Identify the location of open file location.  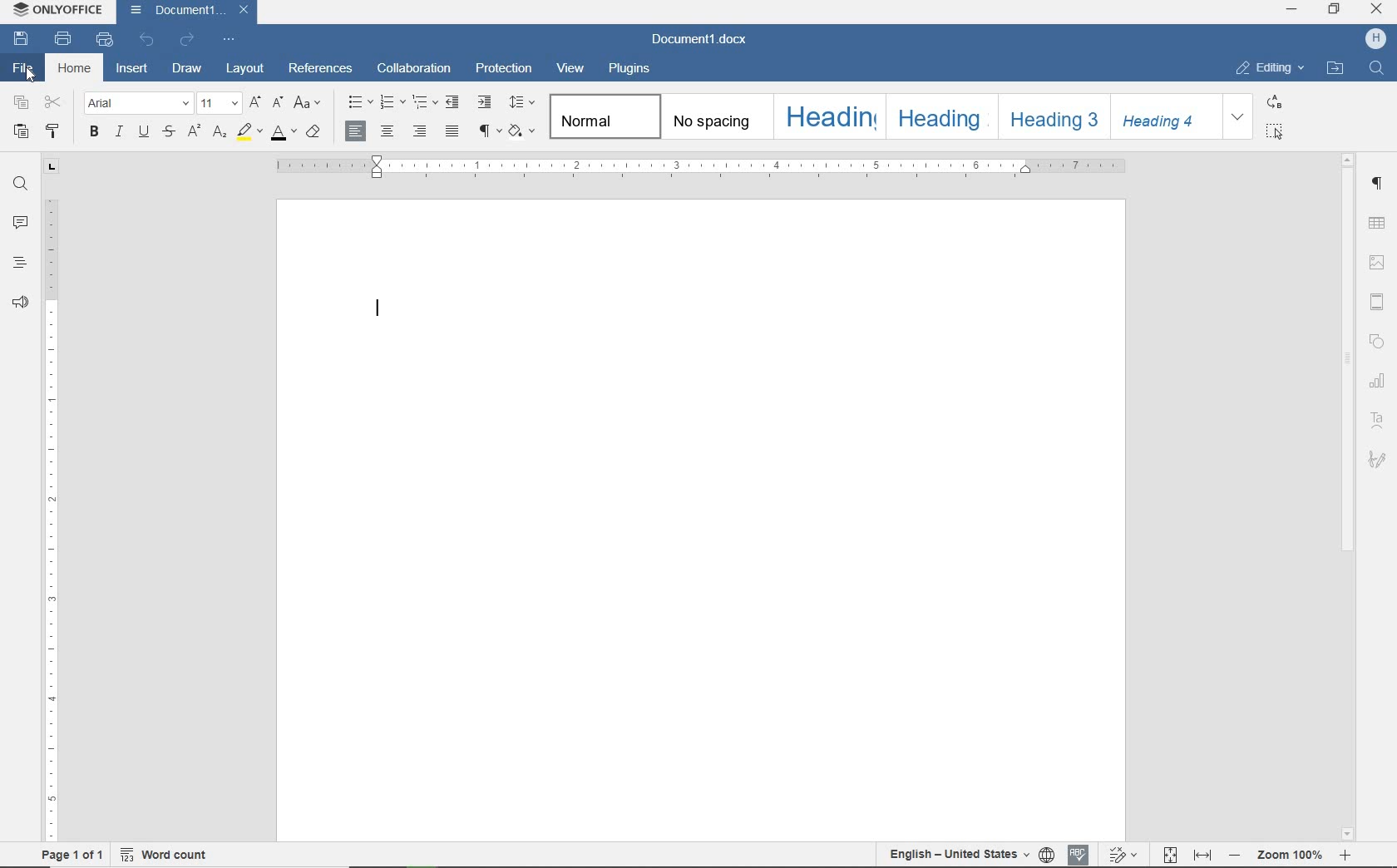
(1336, 70).